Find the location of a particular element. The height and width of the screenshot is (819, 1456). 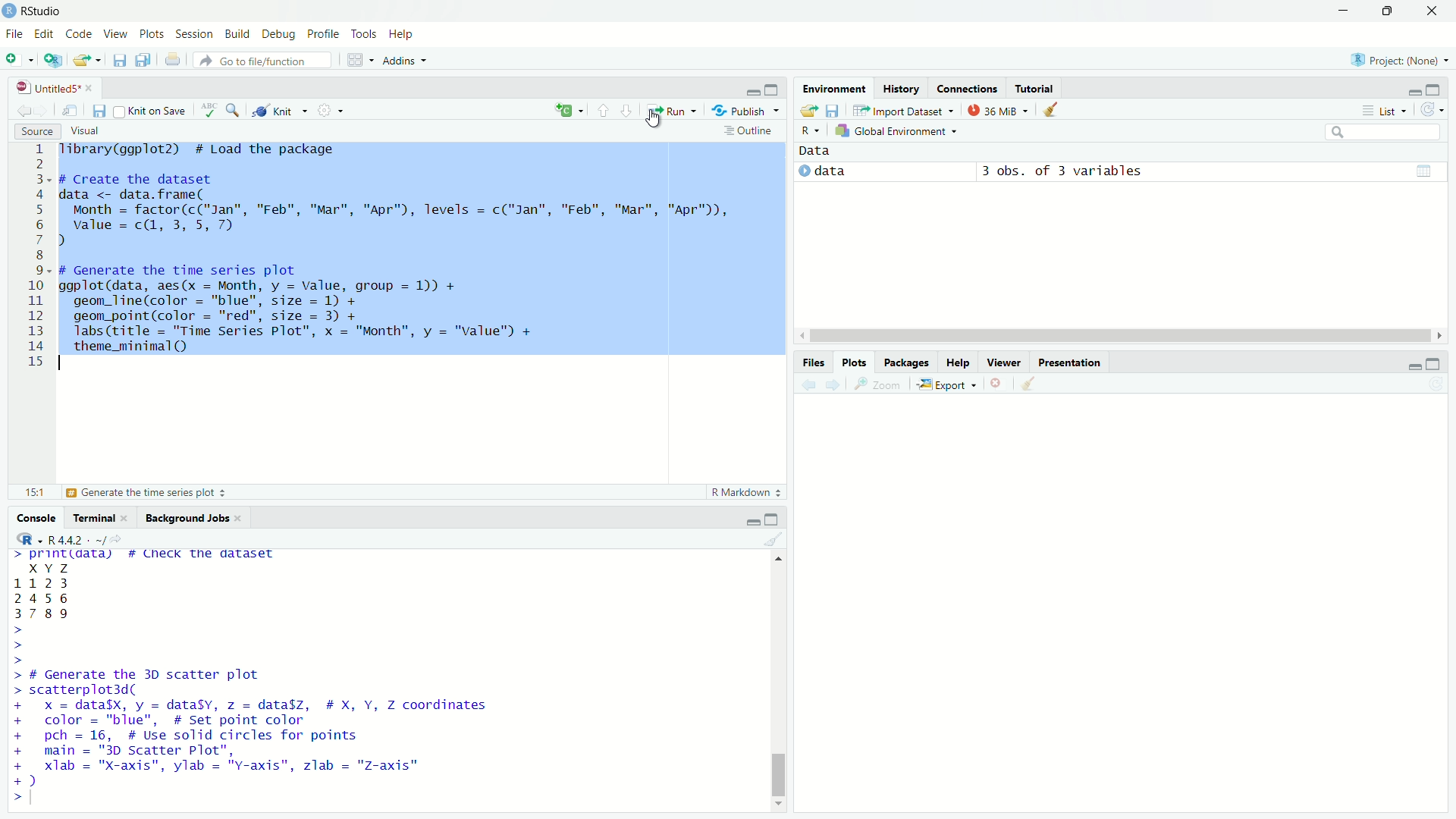

workspace panes is located at coordinates (359, 60).